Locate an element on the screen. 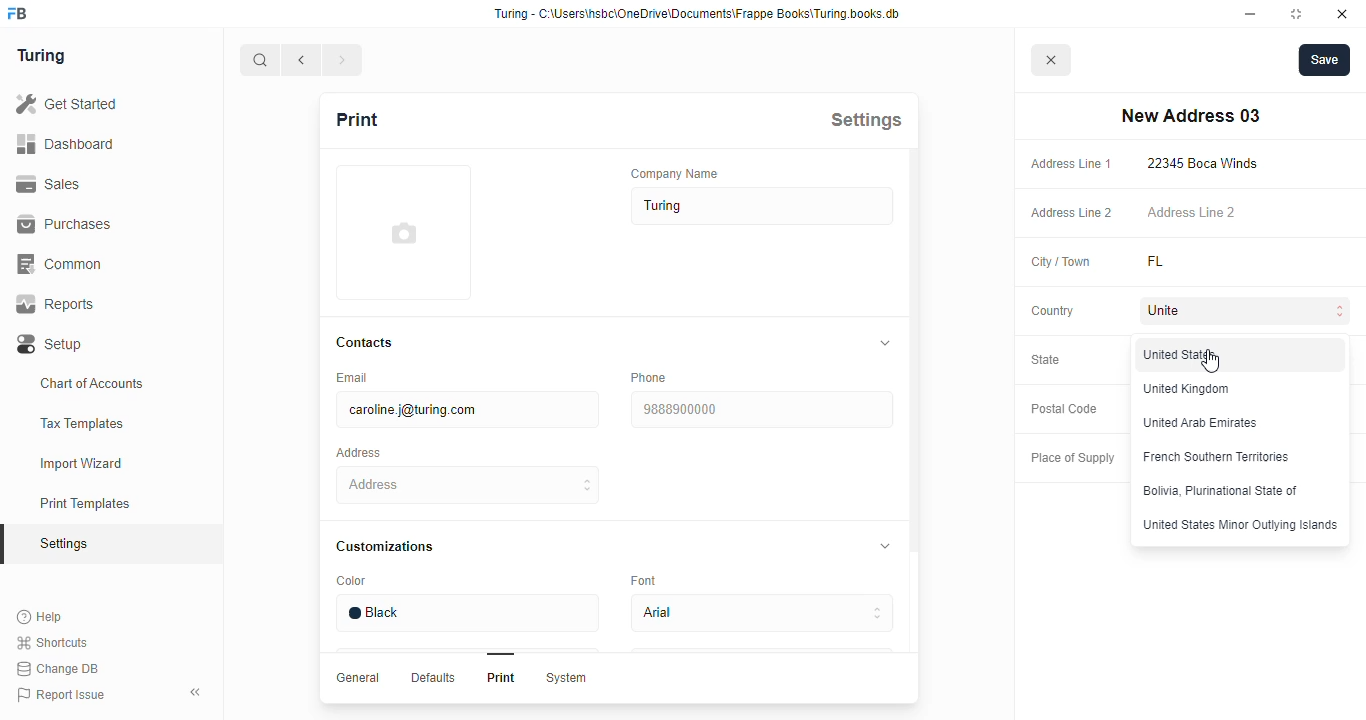 The height and width of the screenshot is (720, 1366). Unite is located at coordinates (1248, 312).